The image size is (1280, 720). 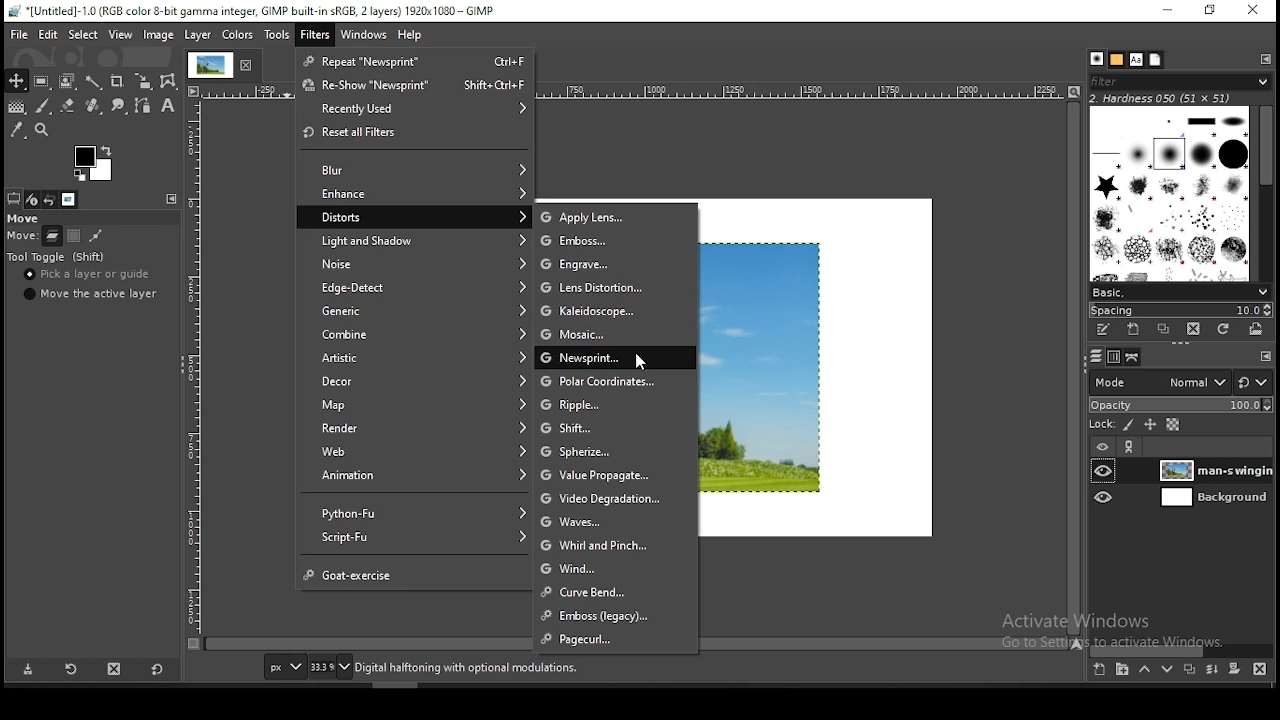 I want to click on images, so click(x=66, y=199).